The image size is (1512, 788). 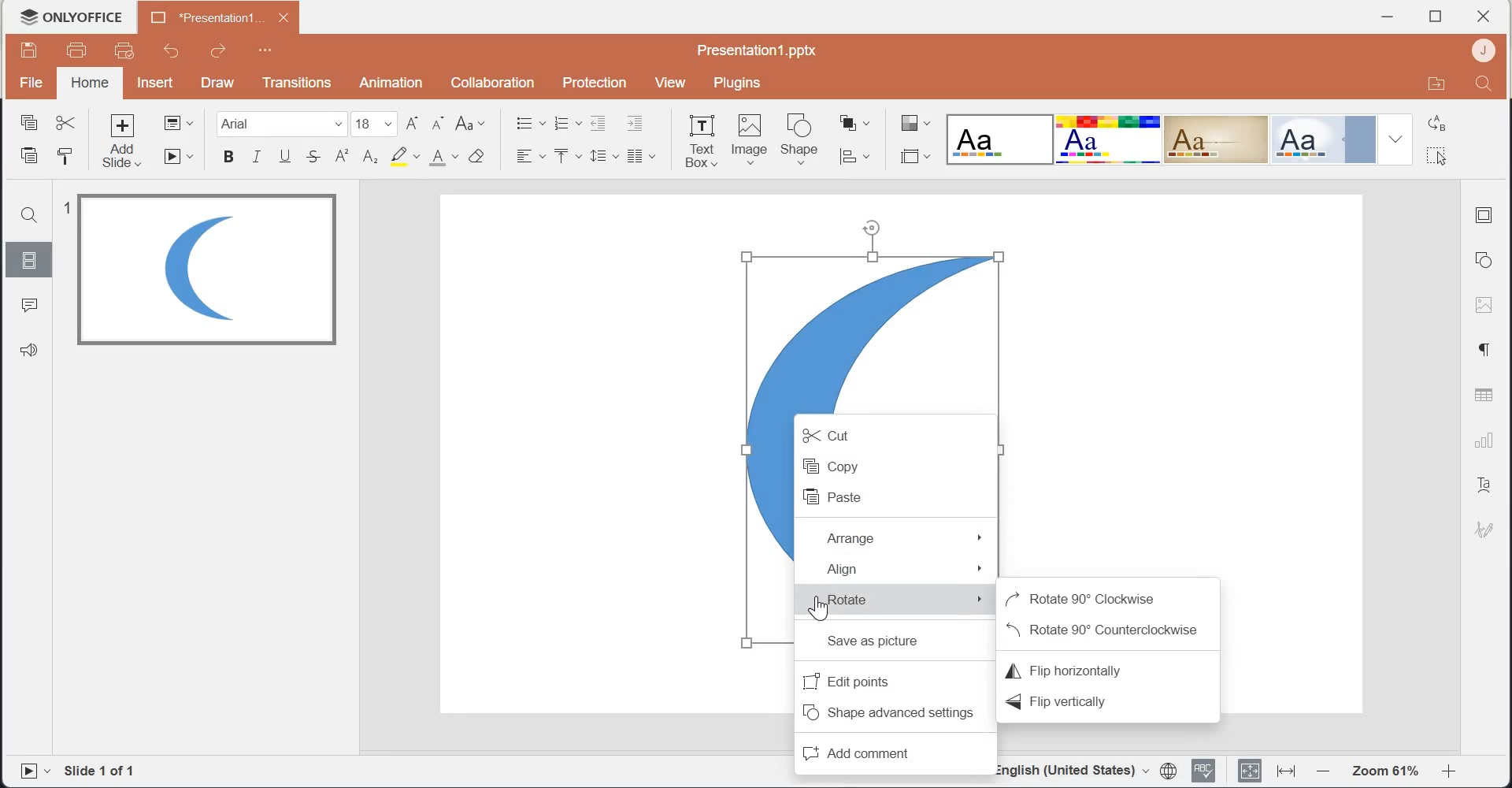 I want to click on Transitions, so click(x=295, y=83).